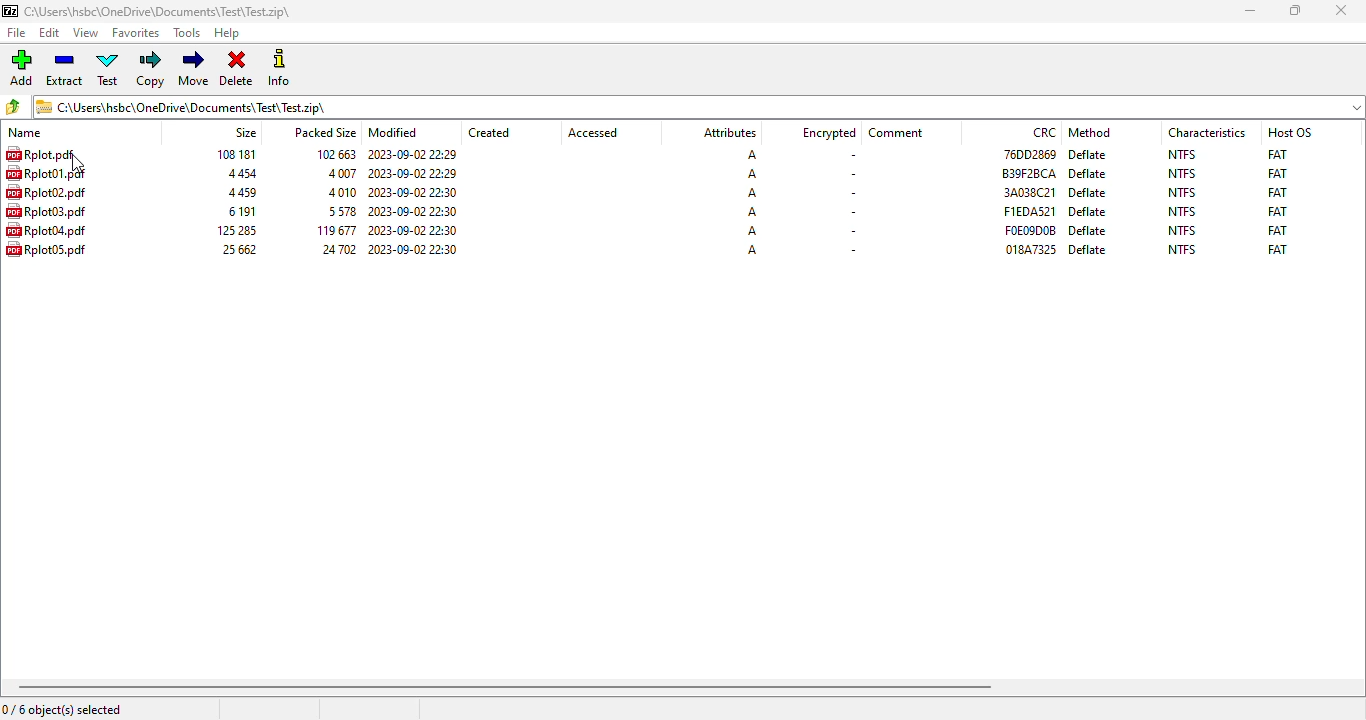 The width and height of the screenshot is (1366, 720). I want to click on deflate, so click(1088, 249).